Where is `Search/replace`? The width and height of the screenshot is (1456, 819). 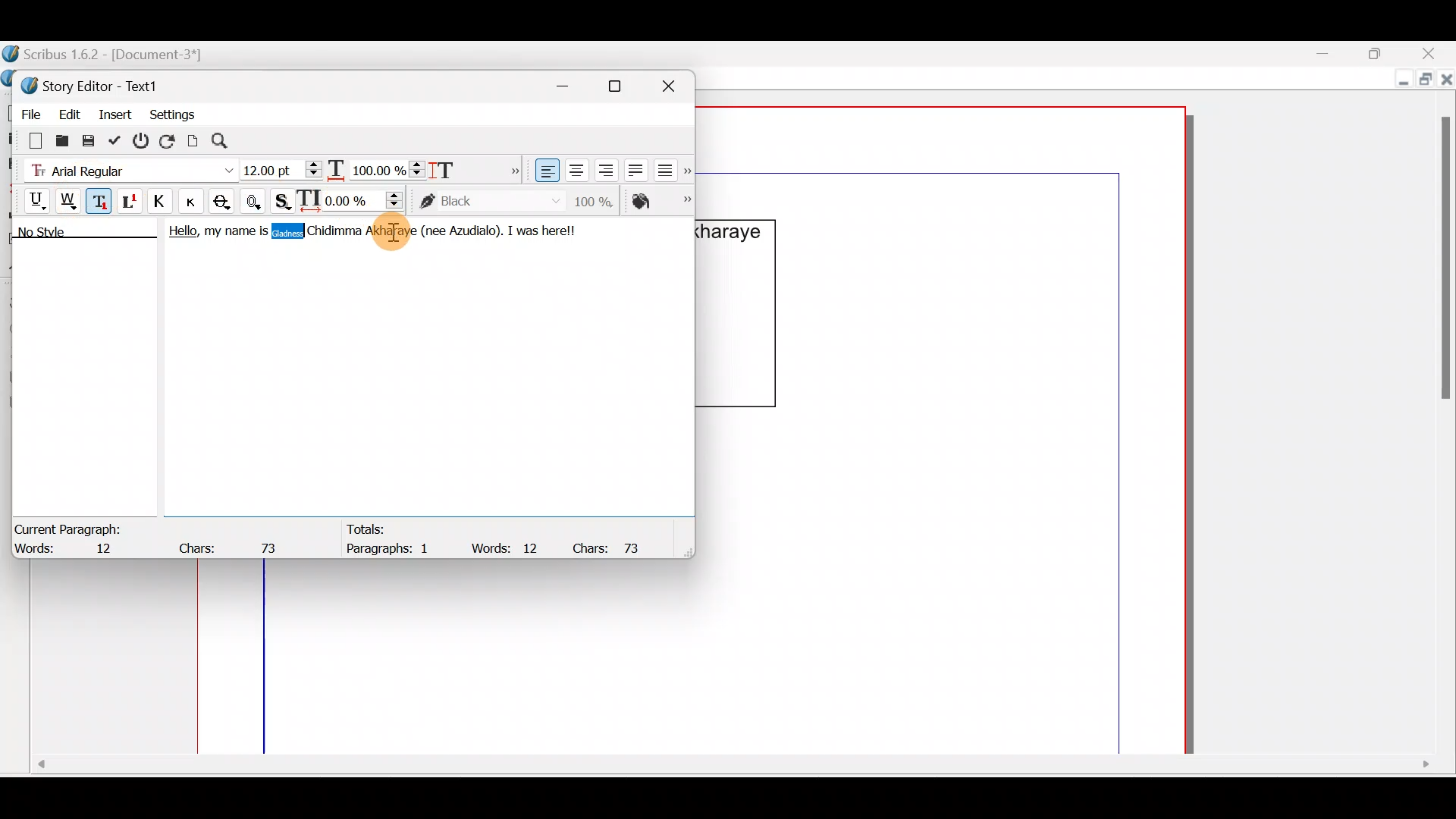 Search/replace is located at coordinates (228, 141).